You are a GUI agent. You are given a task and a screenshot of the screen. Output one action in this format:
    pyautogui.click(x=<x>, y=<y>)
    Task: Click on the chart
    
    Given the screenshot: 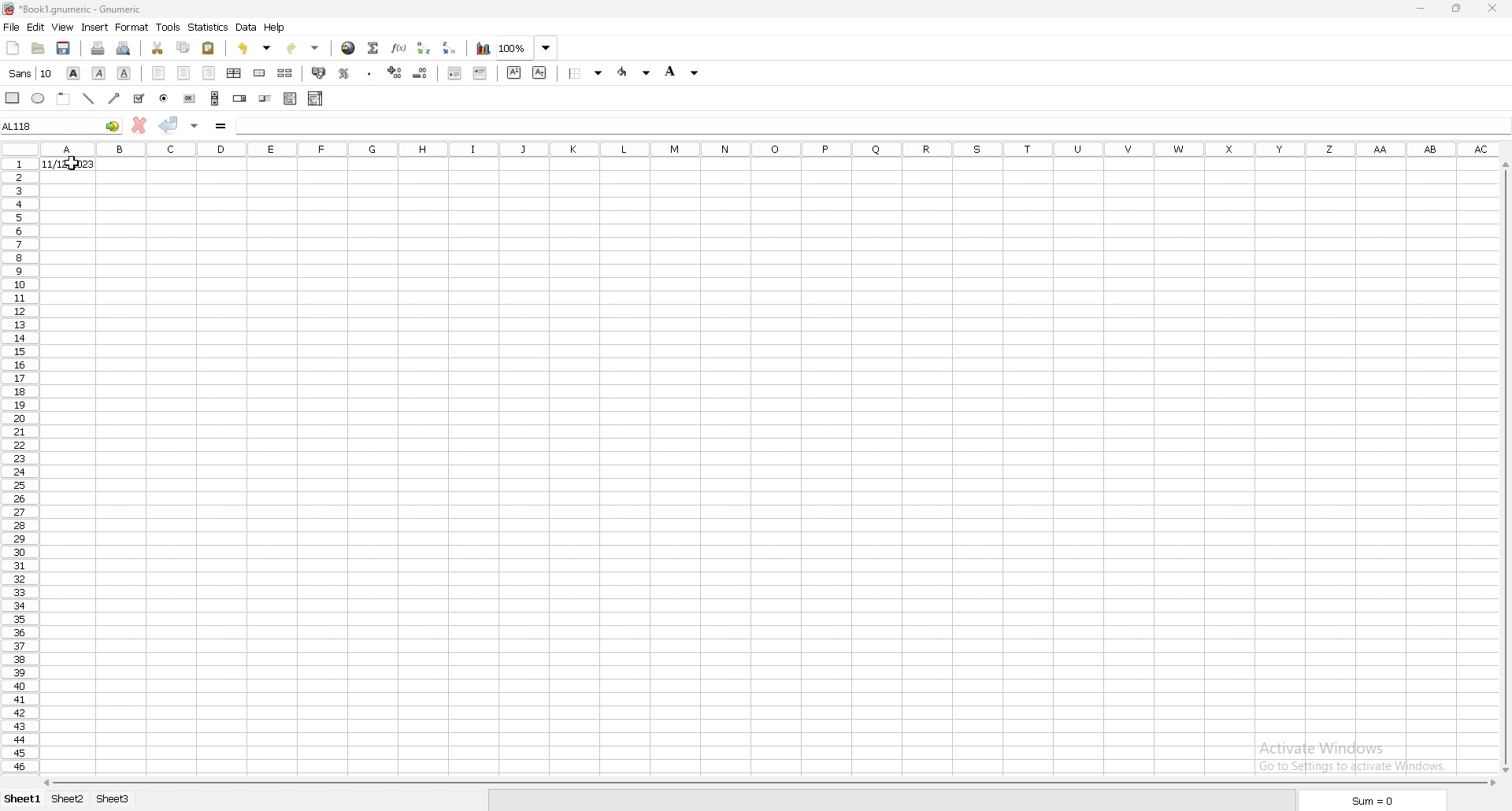 What is the action you would take?
    pyautogui.click(x=484, y=49)
    